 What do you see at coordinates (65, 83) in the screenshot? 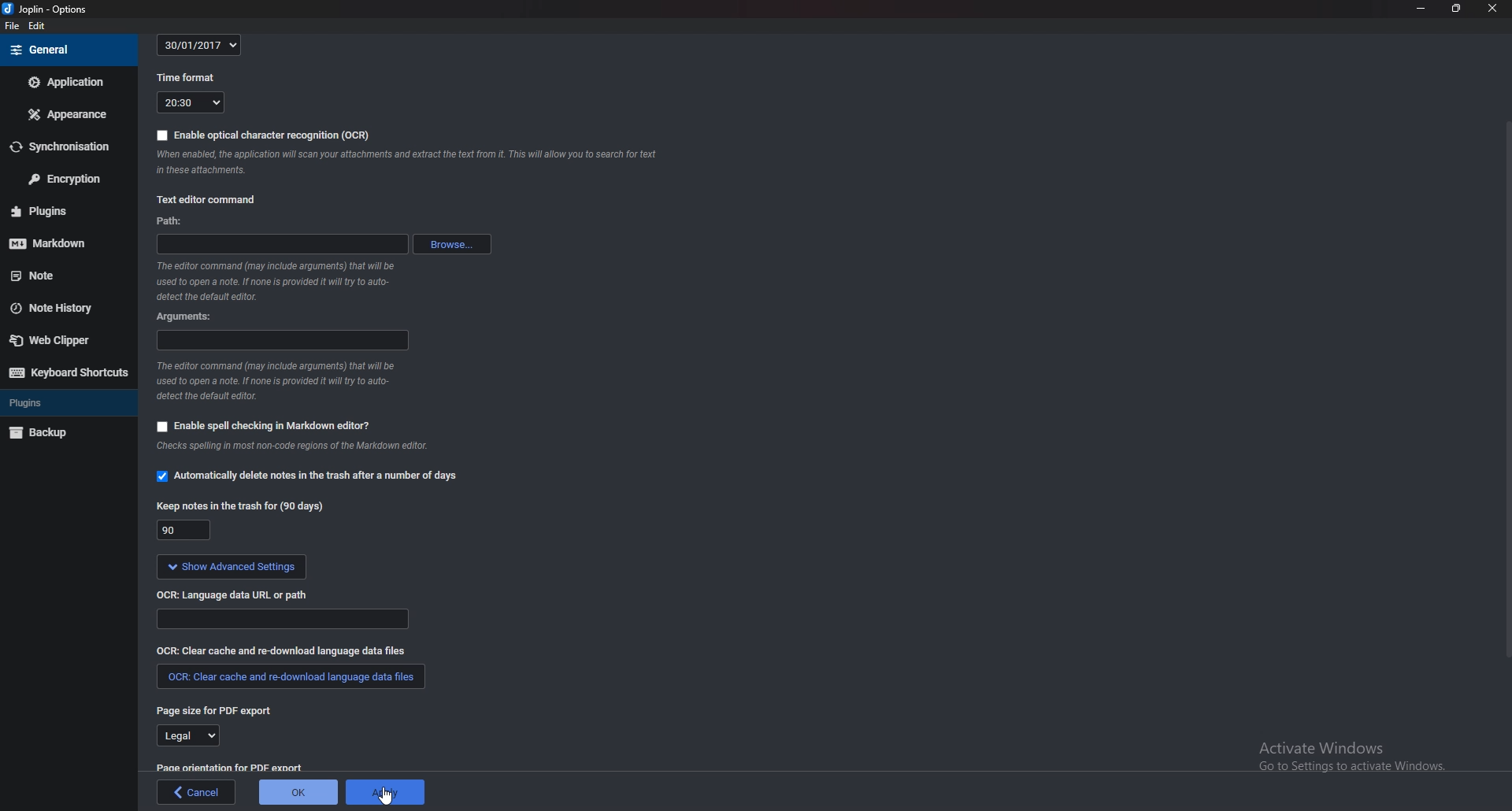
I see `Application` at bounding box center [65, 83].